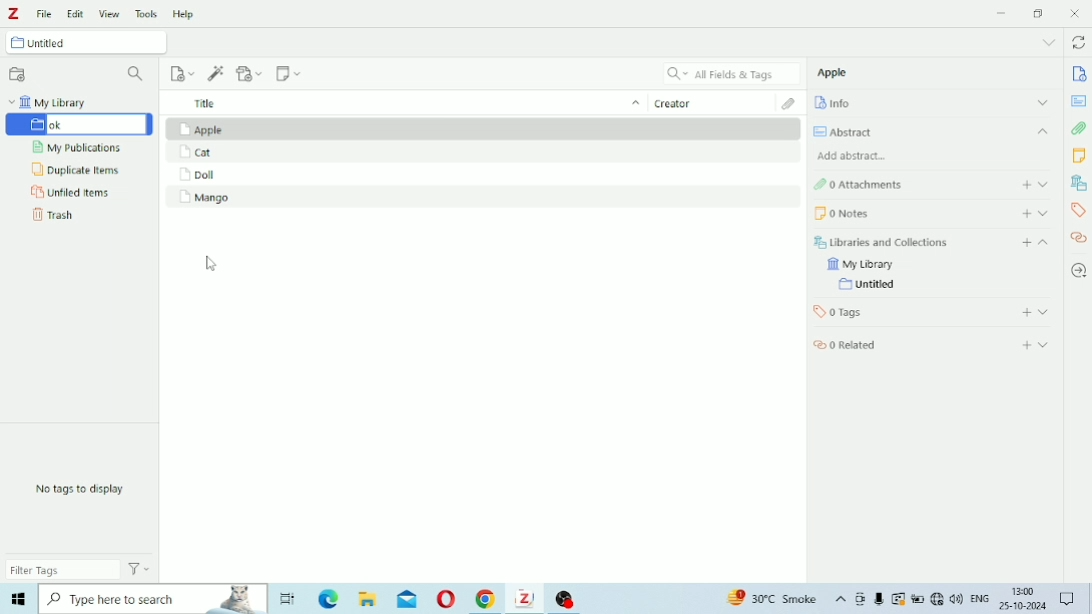 This screenshot has height=614, width=1092. Describe the element at coordinates (715, 101) in the screenshot. I see `Creator` at that location.